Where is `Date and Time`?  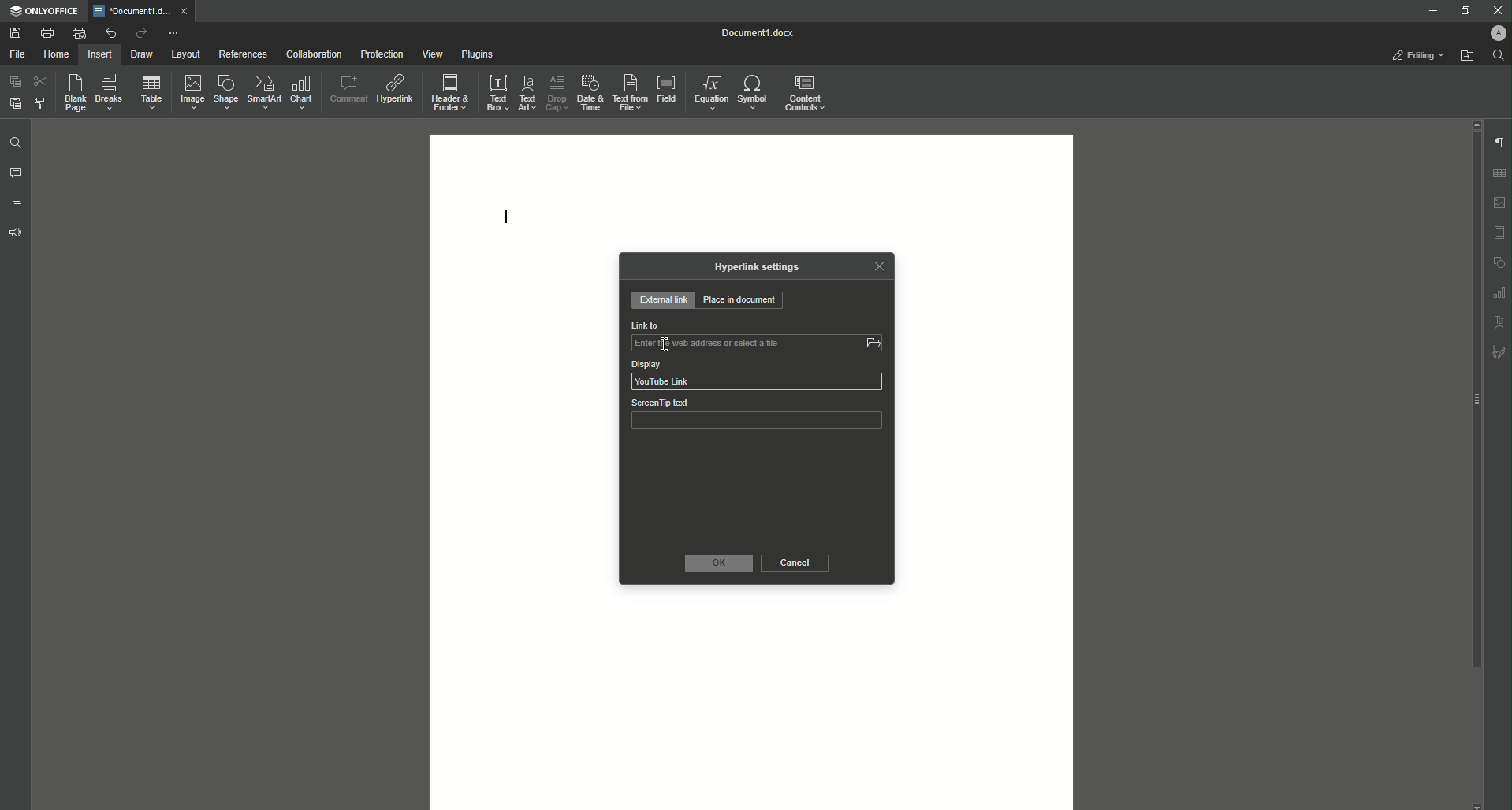 Date and Time is located at coordinates (590, 93).